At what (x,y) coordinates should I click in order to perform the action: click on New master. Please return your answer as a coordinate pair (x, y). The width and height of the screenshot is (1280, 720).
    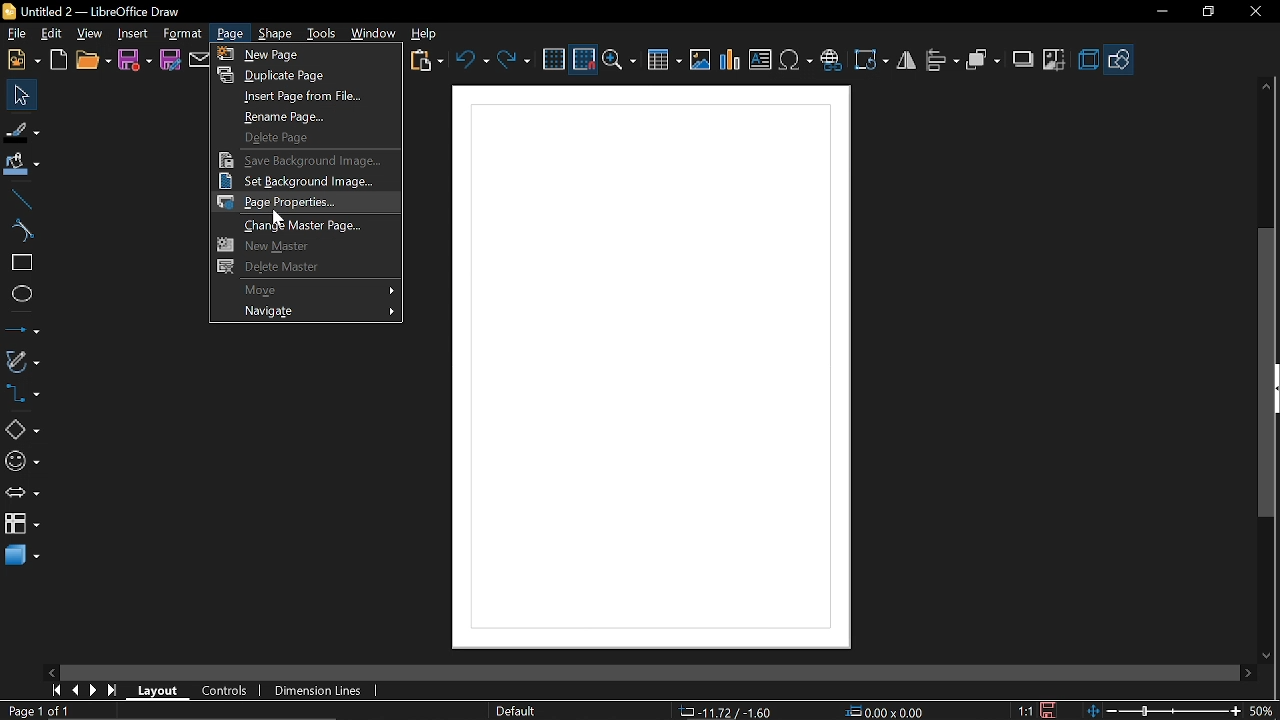
    Looking at the image, I should click on (303, 245).